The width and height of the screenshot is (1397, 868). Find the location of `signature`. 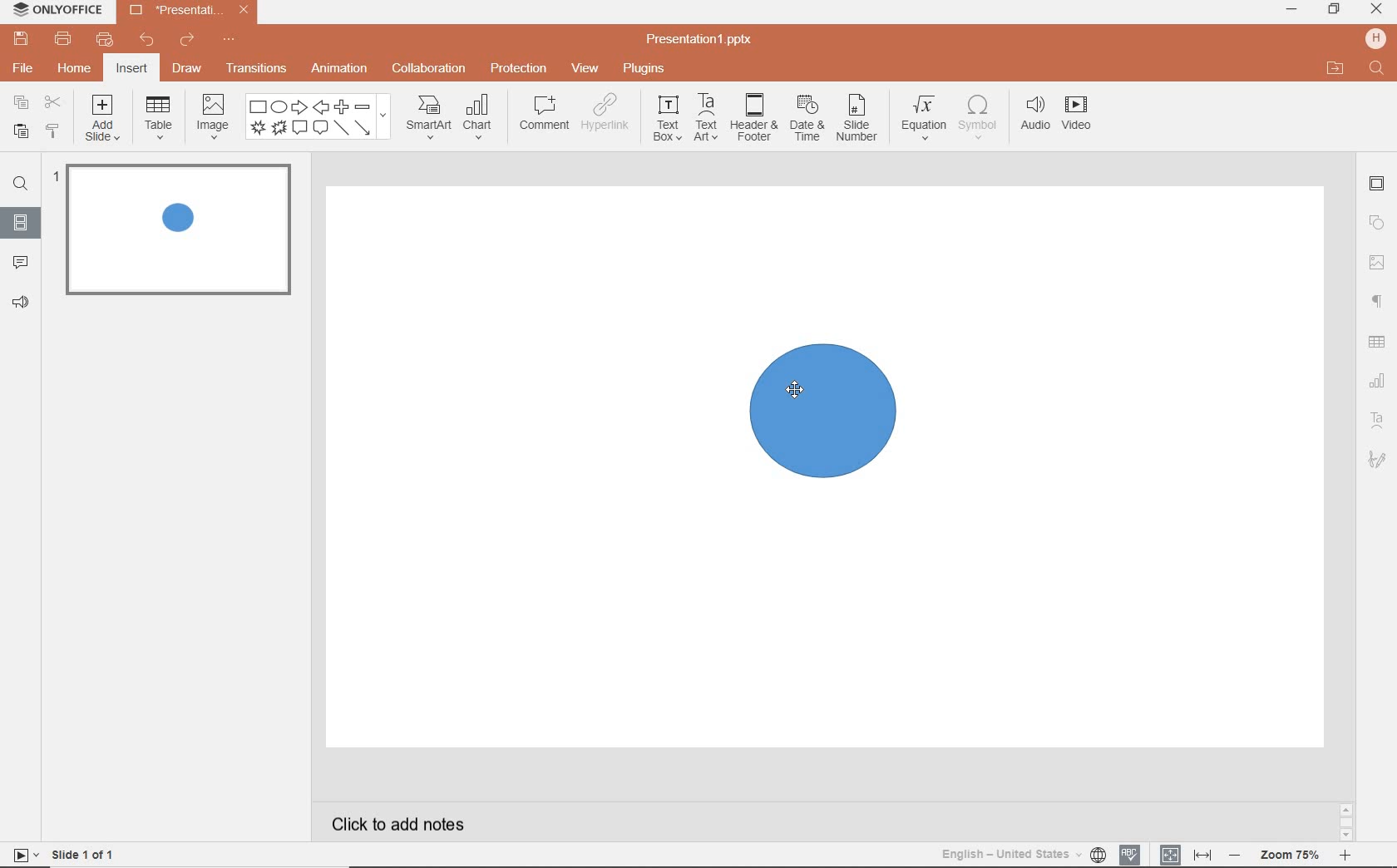

signature is located at coordinates (1376, 458).